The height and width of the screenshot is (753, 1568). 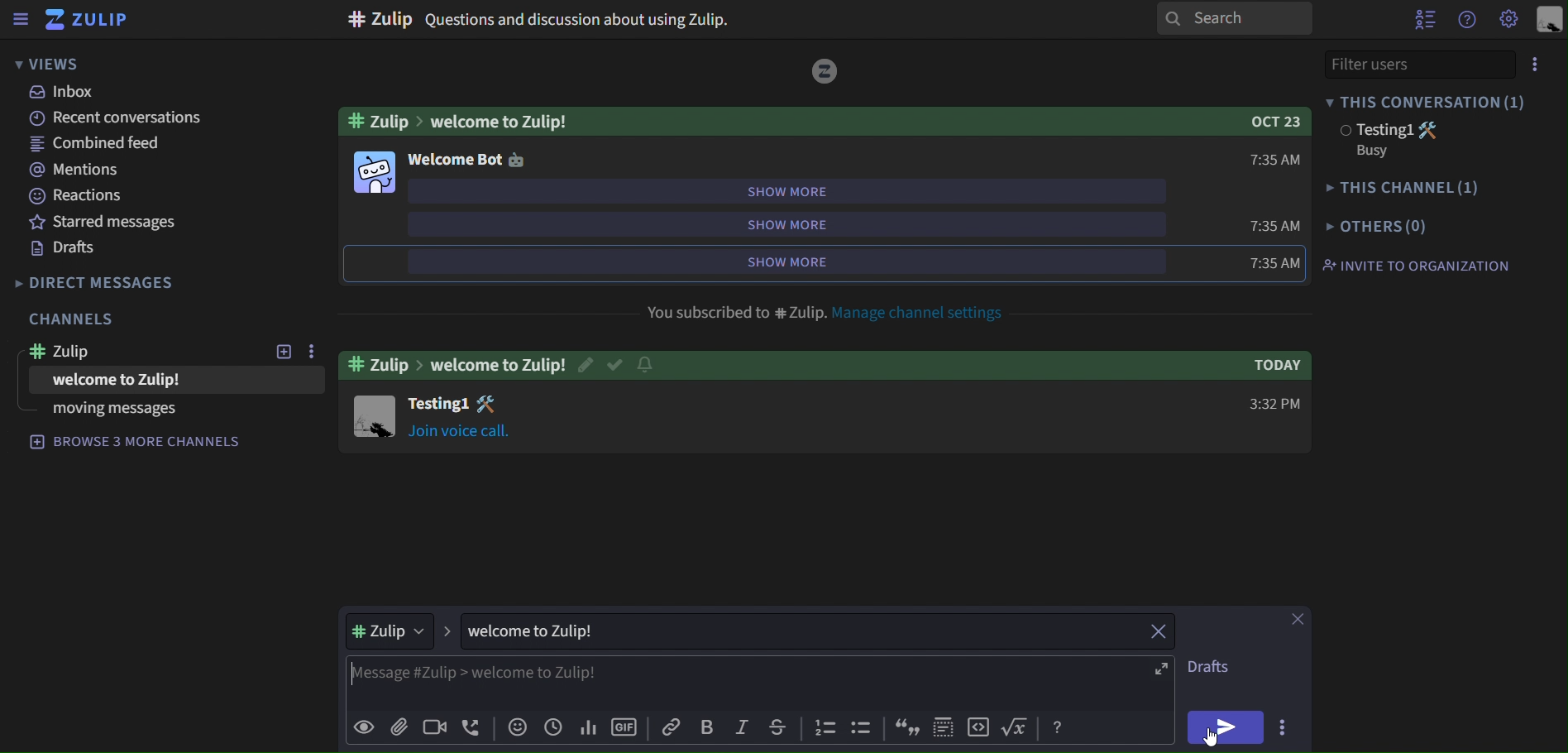 What do you see at coordinates (117, 119) in the screenshot?
I see `recent conversations` at bounding box center [117, 119].